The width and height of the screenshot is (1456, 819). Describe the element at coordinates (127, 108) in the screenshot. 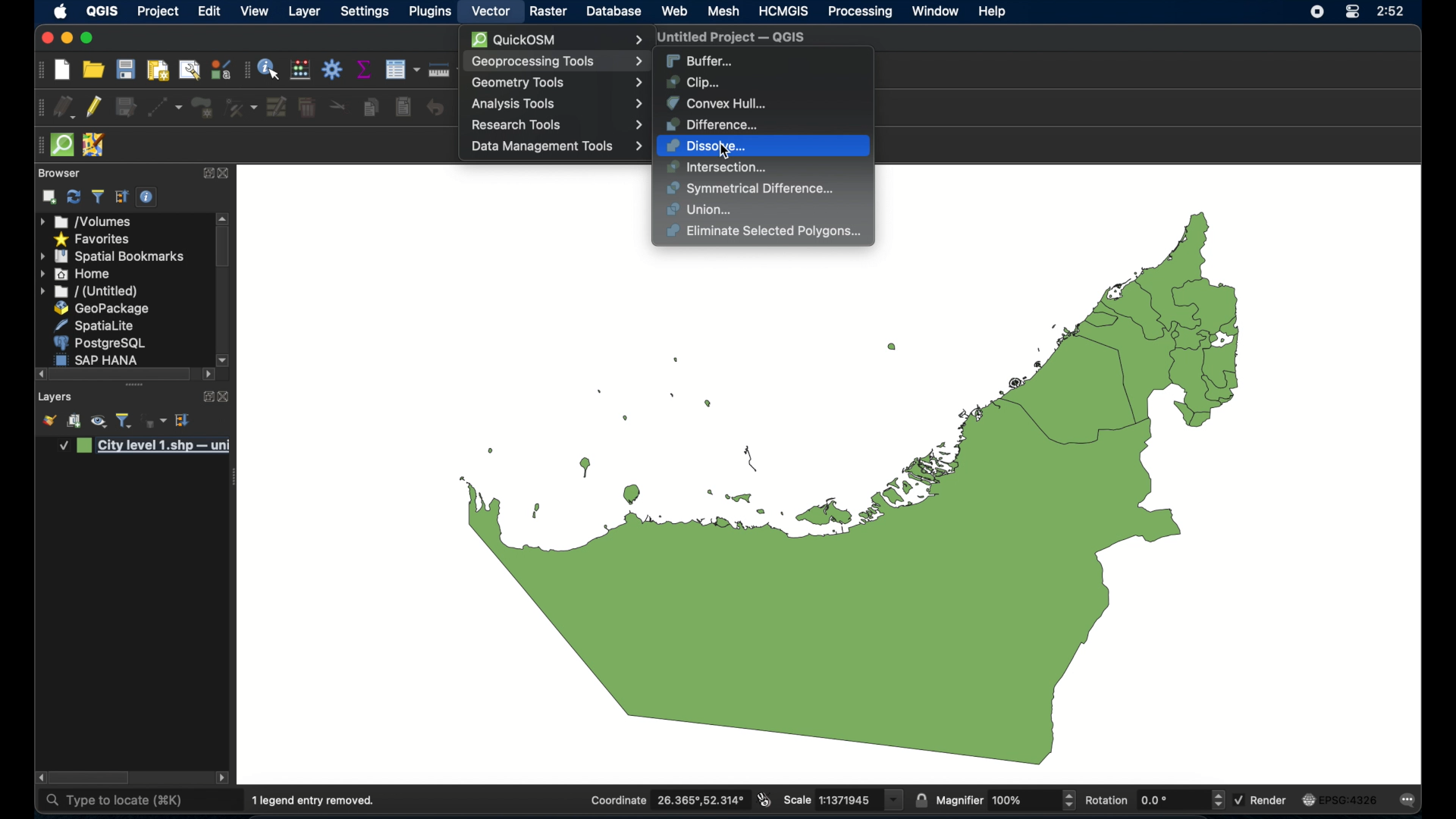

I see `save edits` at that location.